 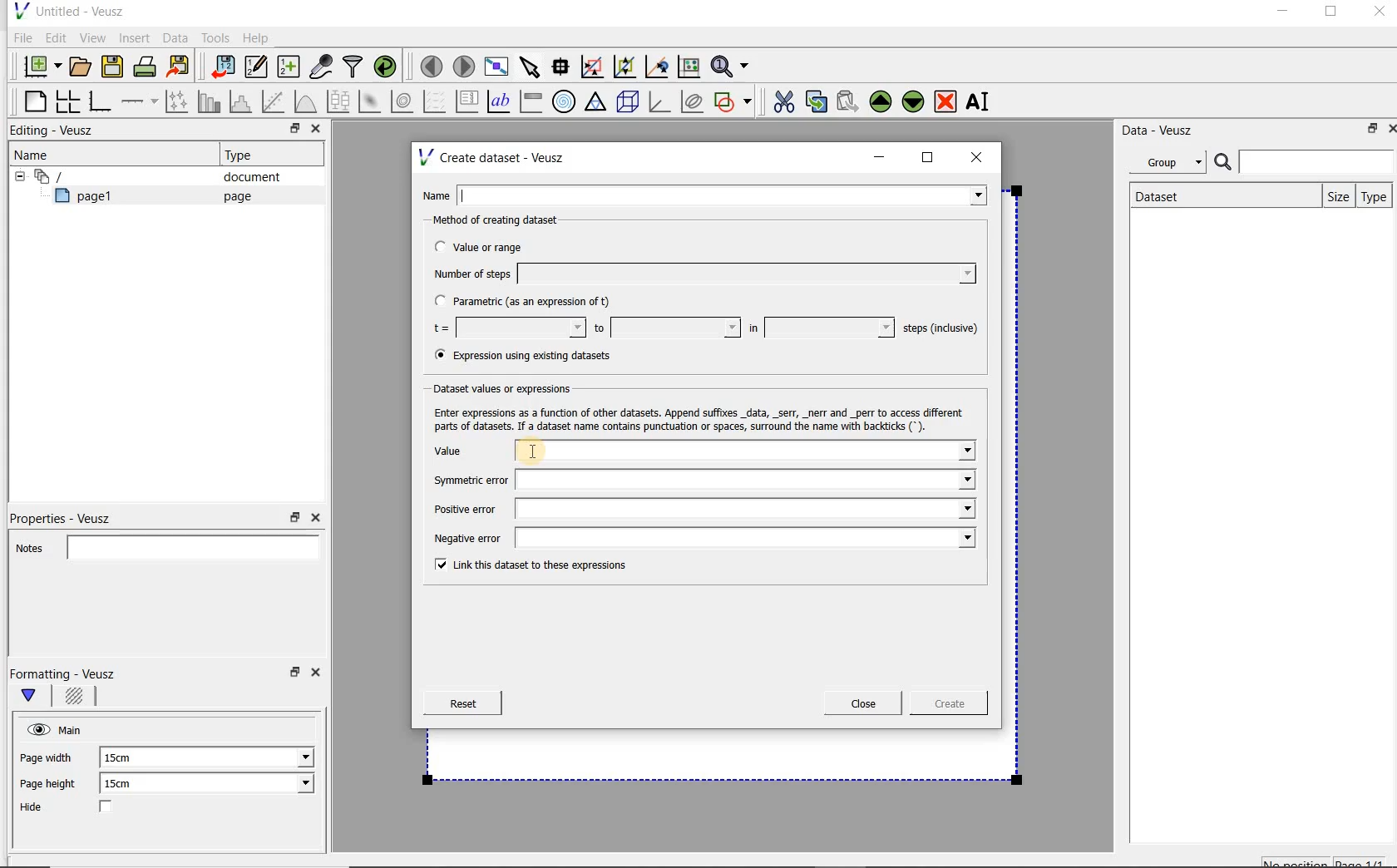 What do you see at coordinates (928, 158) in the screenshot?
I see `maximize` at bounding box center [928, 158].